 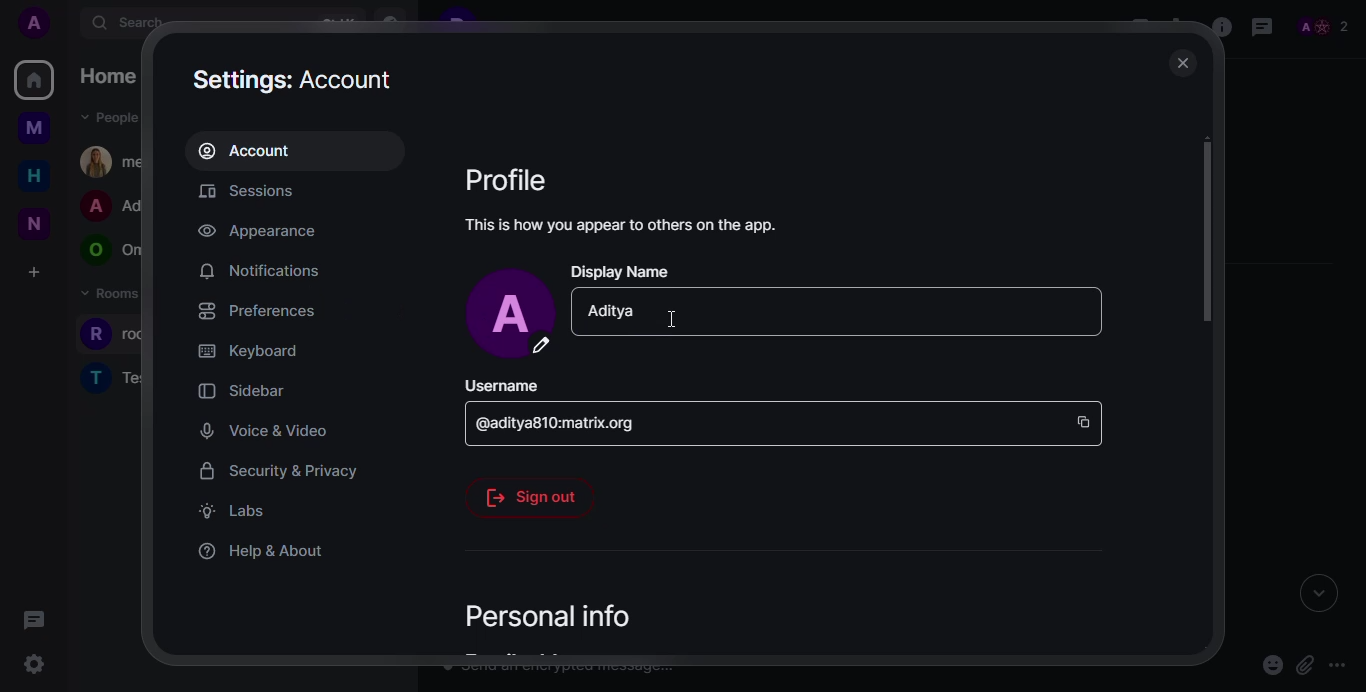 I want to click on sign out, so click(x=528, y=498).